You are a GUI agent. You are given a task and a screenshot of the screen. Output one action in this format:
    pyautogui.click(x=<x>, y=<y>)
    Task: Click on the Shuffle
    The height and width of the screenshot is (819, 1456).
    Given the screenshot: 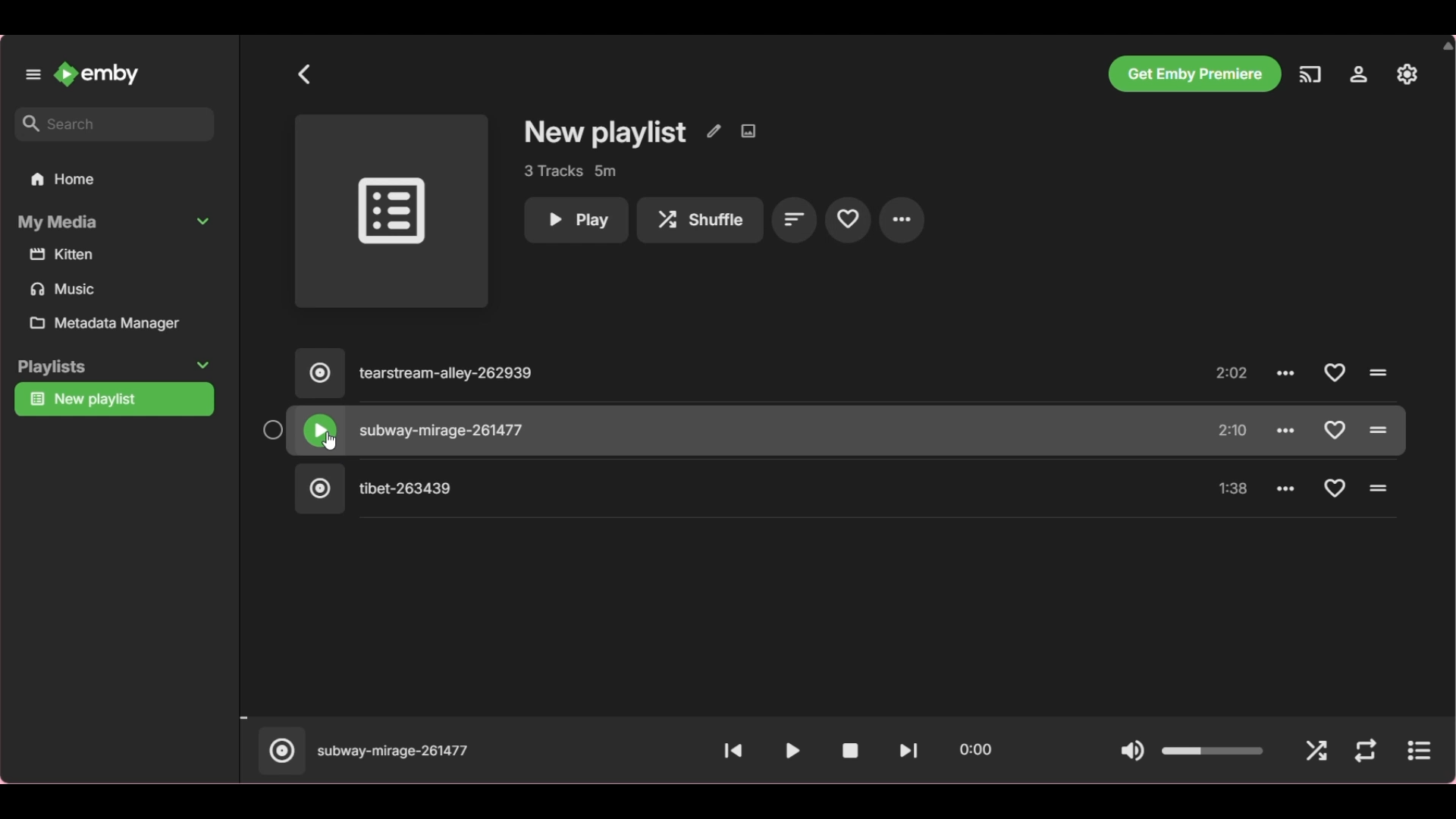 What is the action you would take?
    pyautogui.click(x=700, y=221)
    